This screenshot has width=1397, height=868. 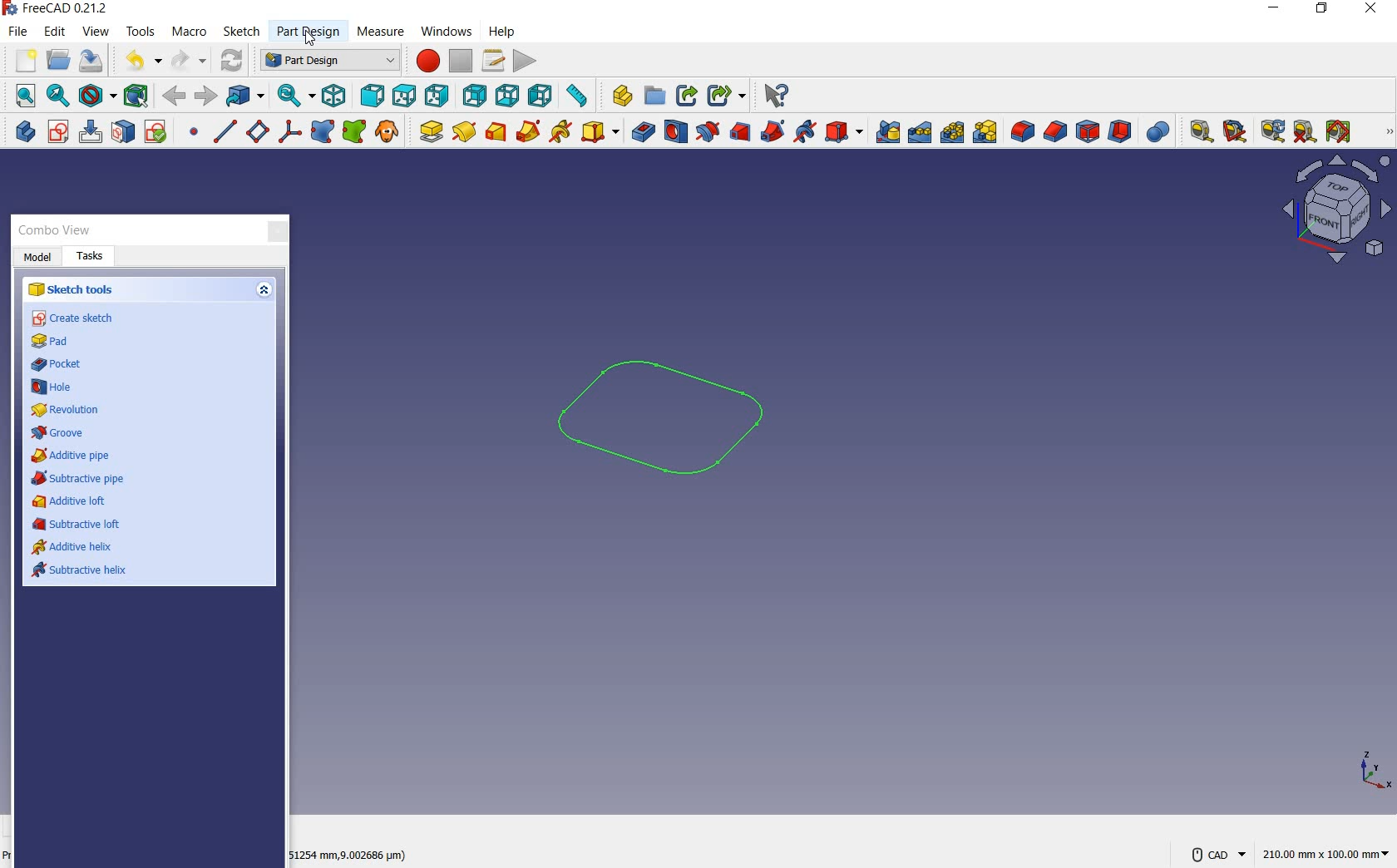 What do you see at coordinates (465, 132) in the screenshot?
I see `revolution` at bounding box center [465, 132].